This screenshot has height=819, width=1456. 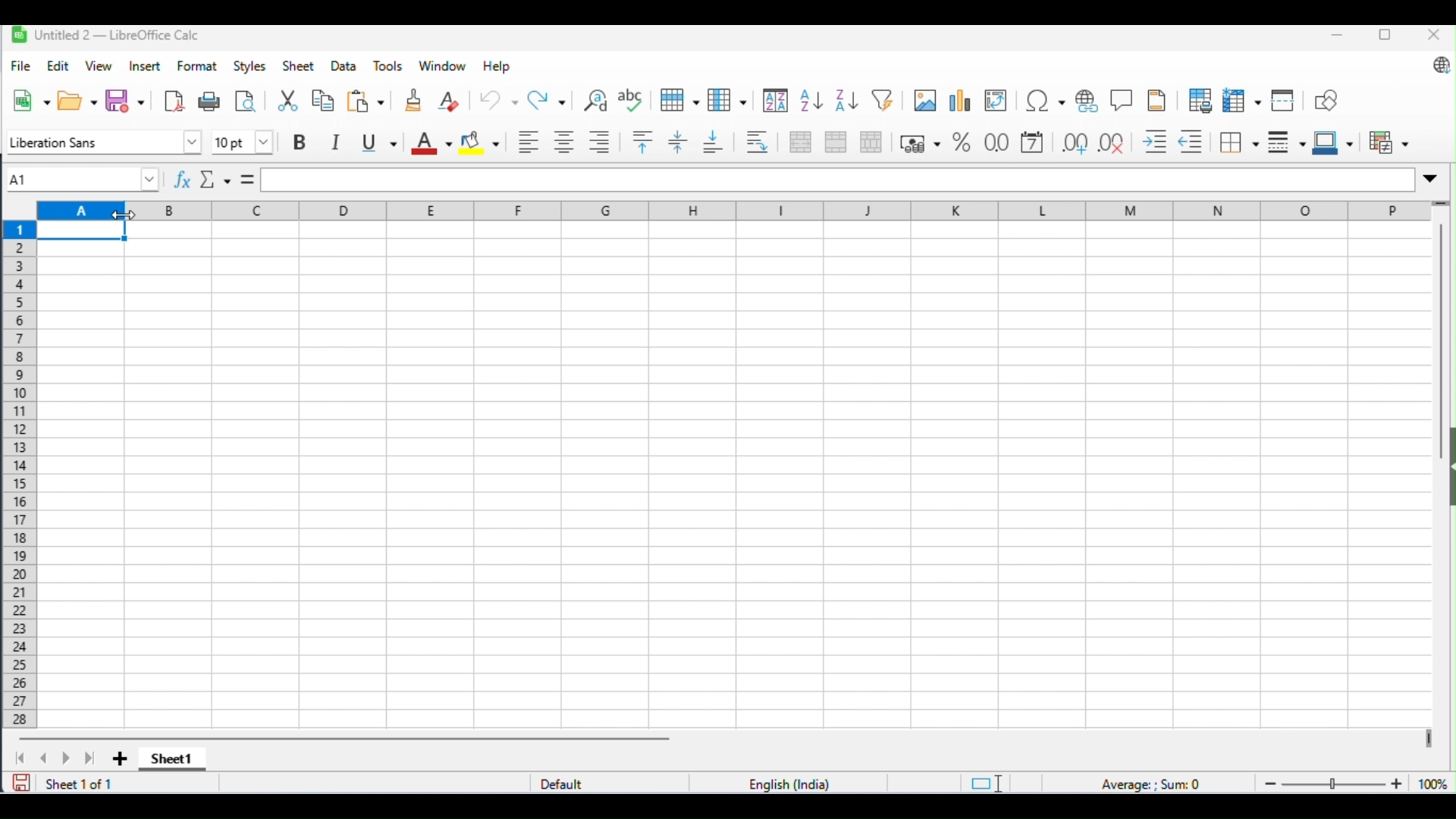 What do you see at coordinates (60, 67) in the screenshot?
I see `edit` at bounding box center [60, 67].